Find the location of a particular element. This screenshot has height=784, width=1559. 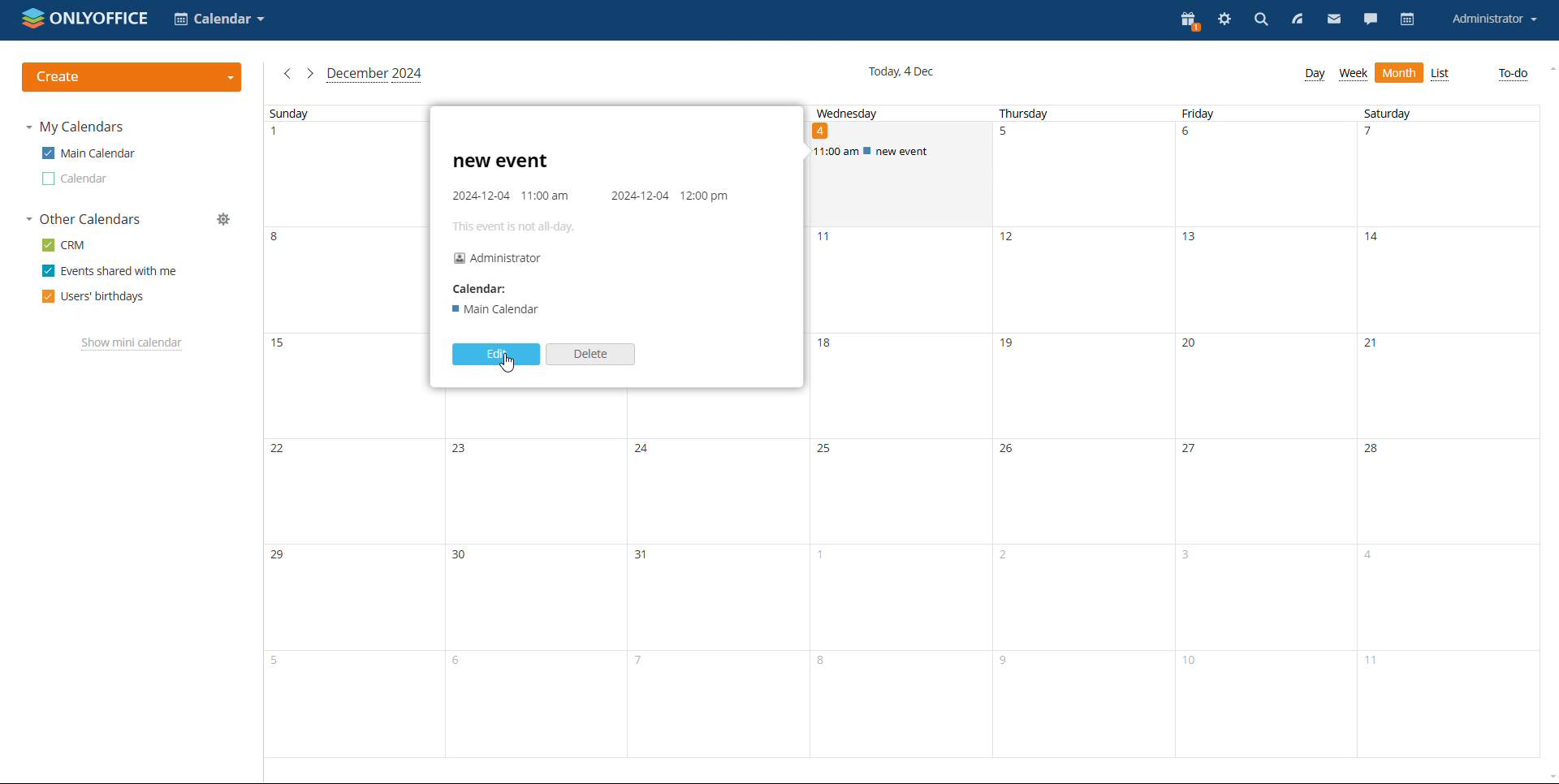

I Main Calendar is located at coordinates (502, 310).